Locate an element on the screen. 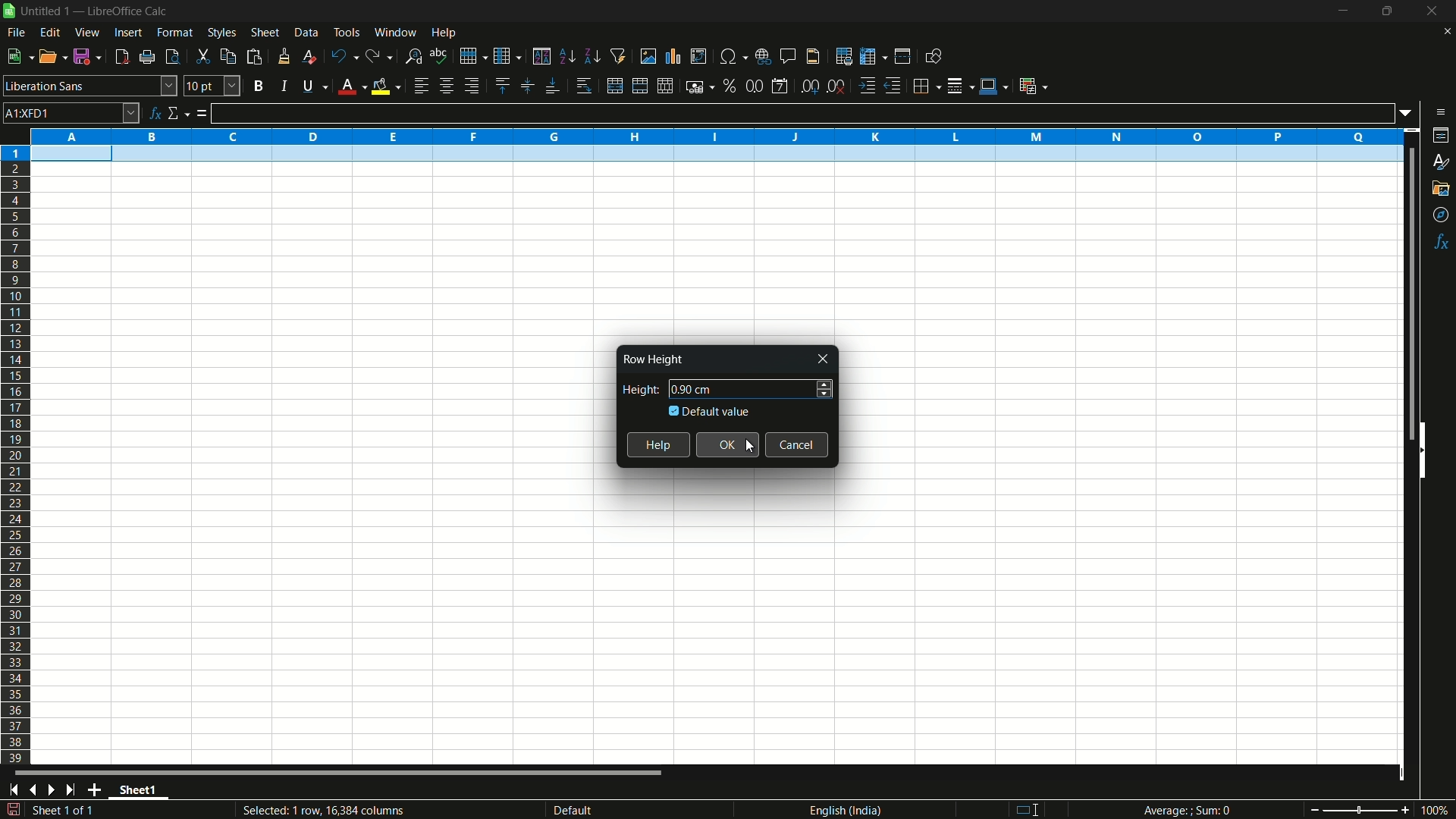  close app is located at coordinates (1428, 11).